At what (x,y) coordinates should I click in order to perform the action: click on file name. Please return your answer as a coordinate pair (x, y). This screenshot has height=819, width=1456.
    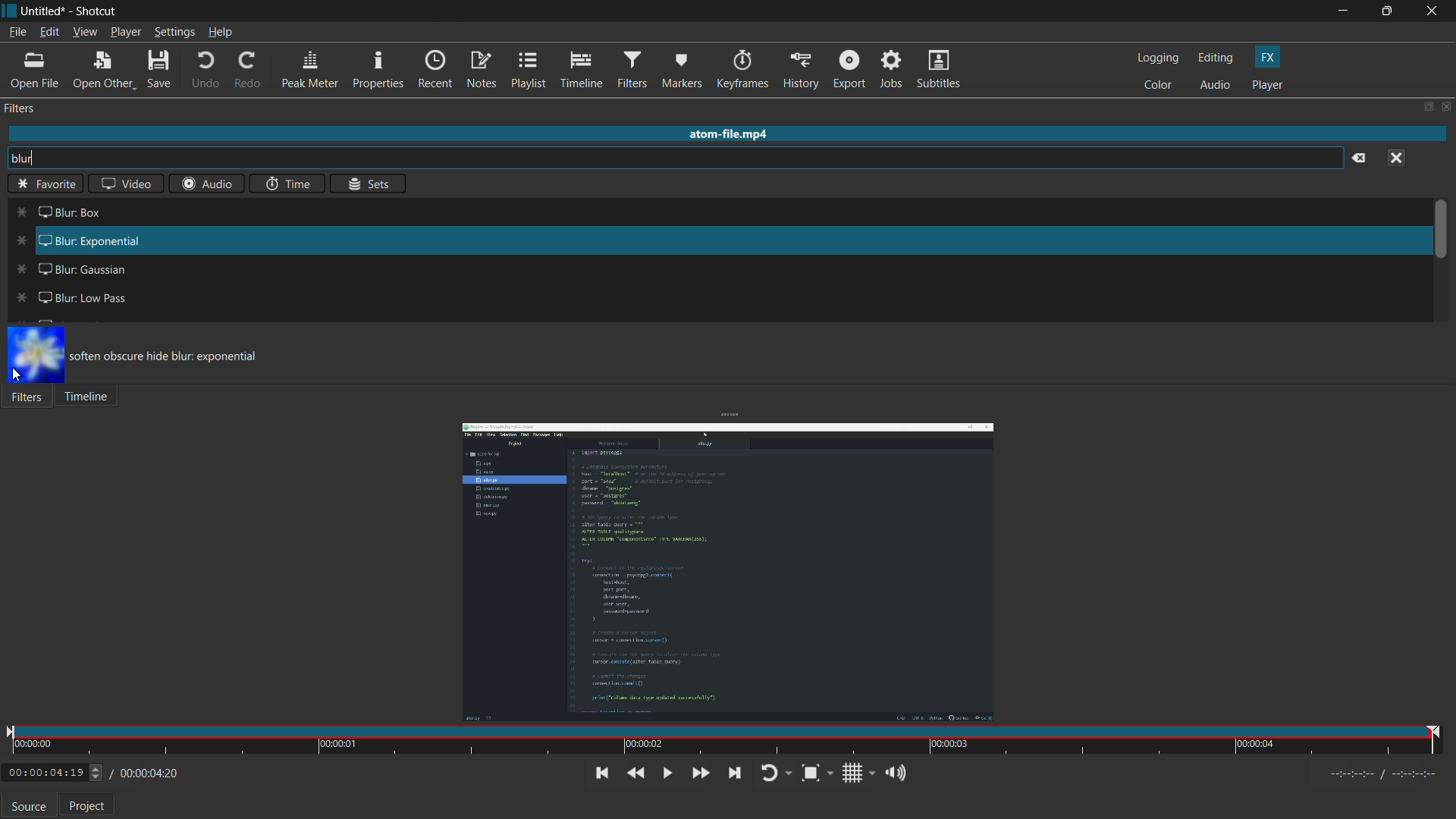
    Looking at the image, I should click on (40, 12).